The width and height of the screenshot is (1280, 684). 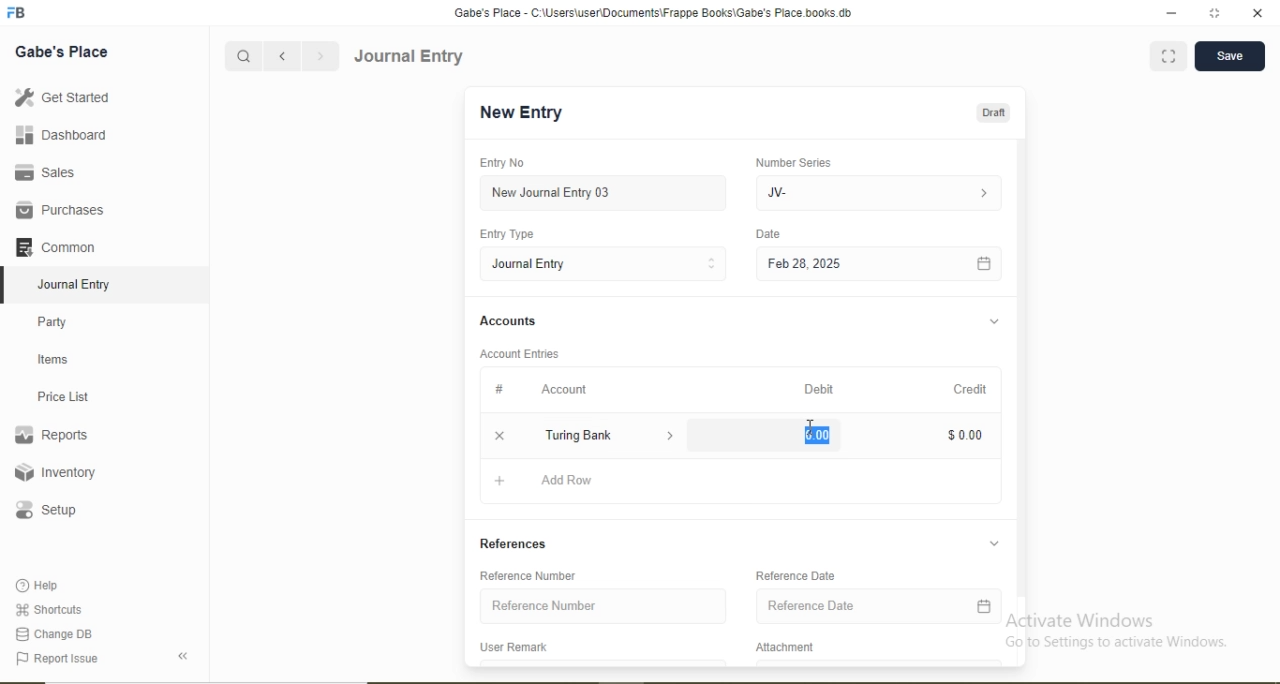 What do you see at coordinates (1169, 55) in the screenshot?
I see `Full screen` at bounding box center [1169, 55].